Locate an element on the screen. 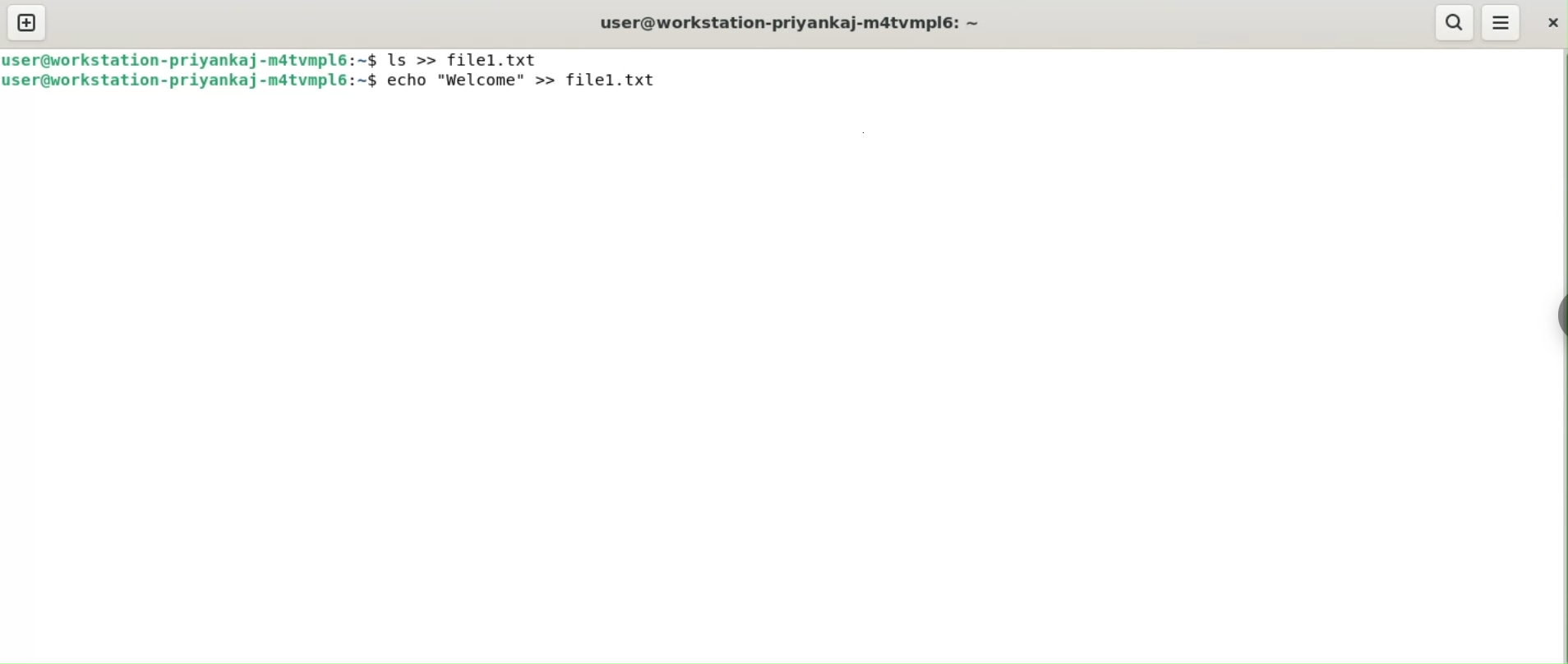 This screenshot has width=1568, height=664. ls >>  file1.txt is located at coordinates (474, 59).